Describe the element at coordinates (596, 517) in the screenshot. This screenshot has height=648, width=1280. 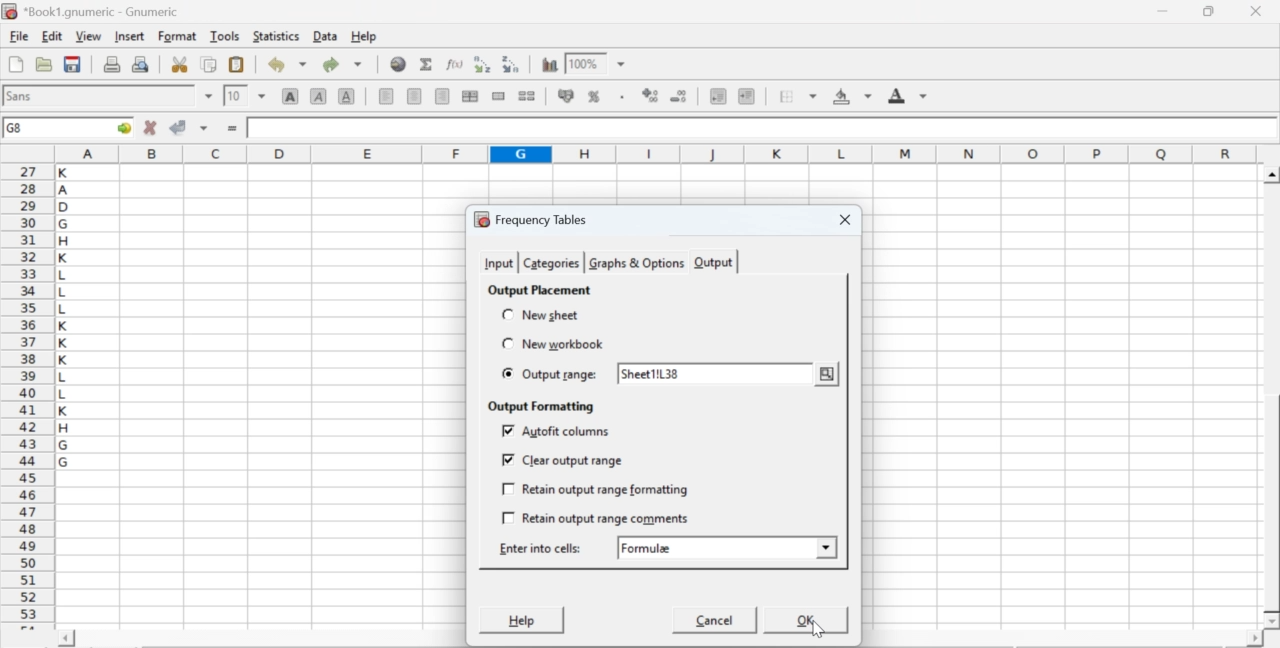
I see `retain output range comments` at that location.